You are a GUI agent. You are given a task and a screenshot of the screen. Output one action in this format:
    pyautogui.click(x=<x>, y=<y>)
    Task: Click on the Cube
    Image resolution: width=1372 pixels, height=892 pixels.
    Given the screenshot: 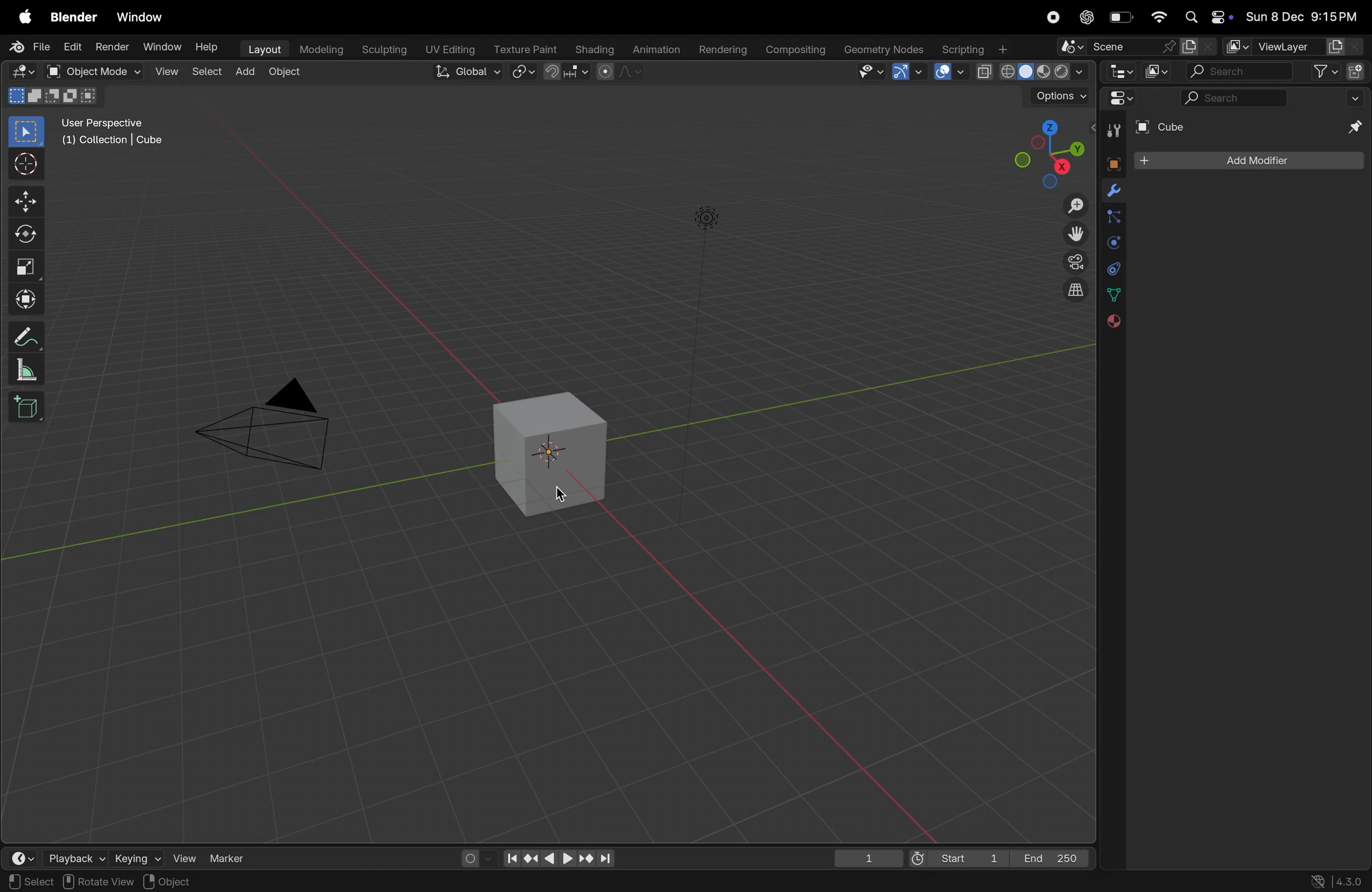 What is the action you would take?
    pyautogui.click(x=1162, y=127)
    